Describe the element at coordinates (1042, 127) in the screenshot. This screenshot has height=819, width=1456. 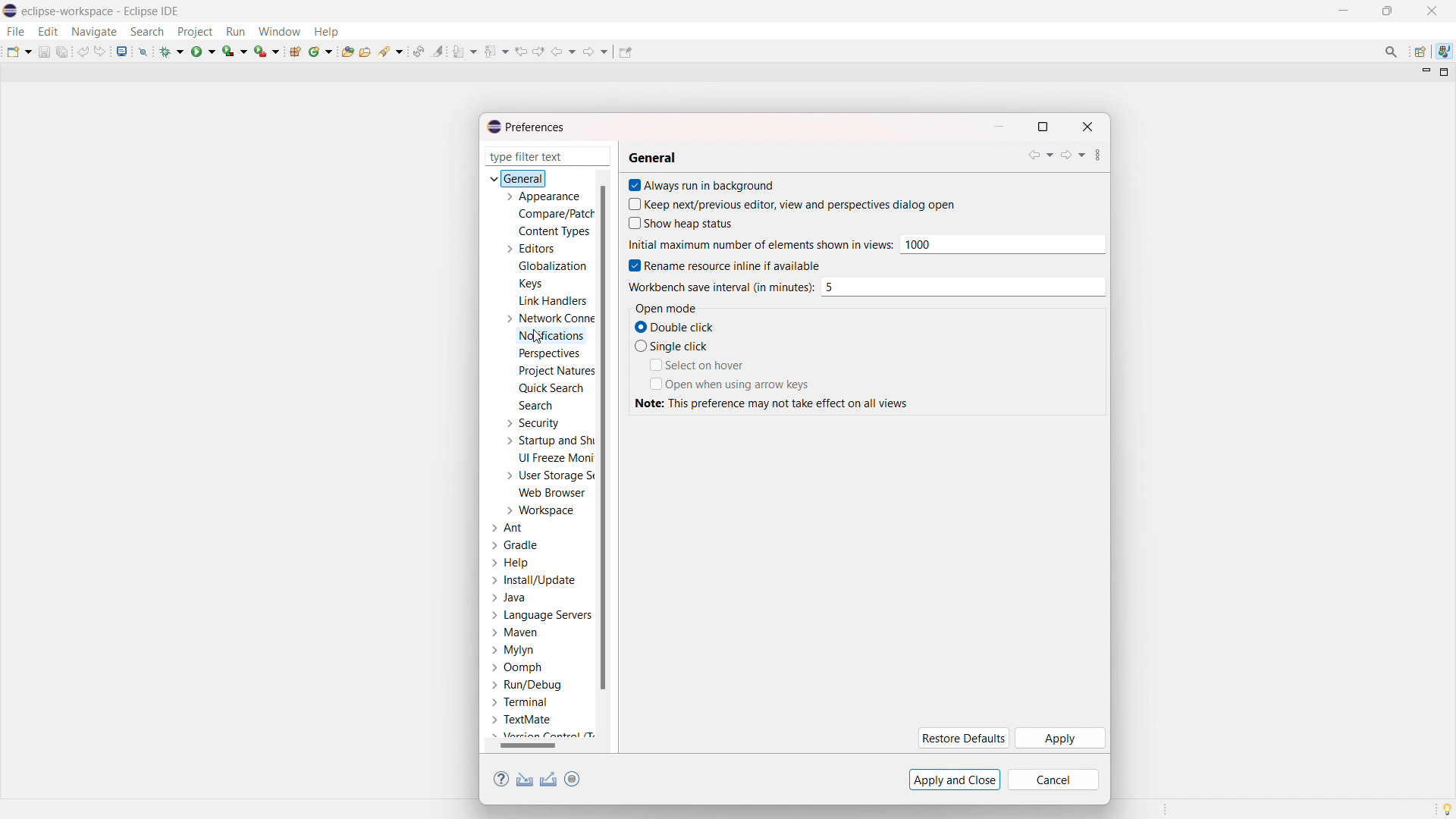
I see `maximize dialogbox` at that location.